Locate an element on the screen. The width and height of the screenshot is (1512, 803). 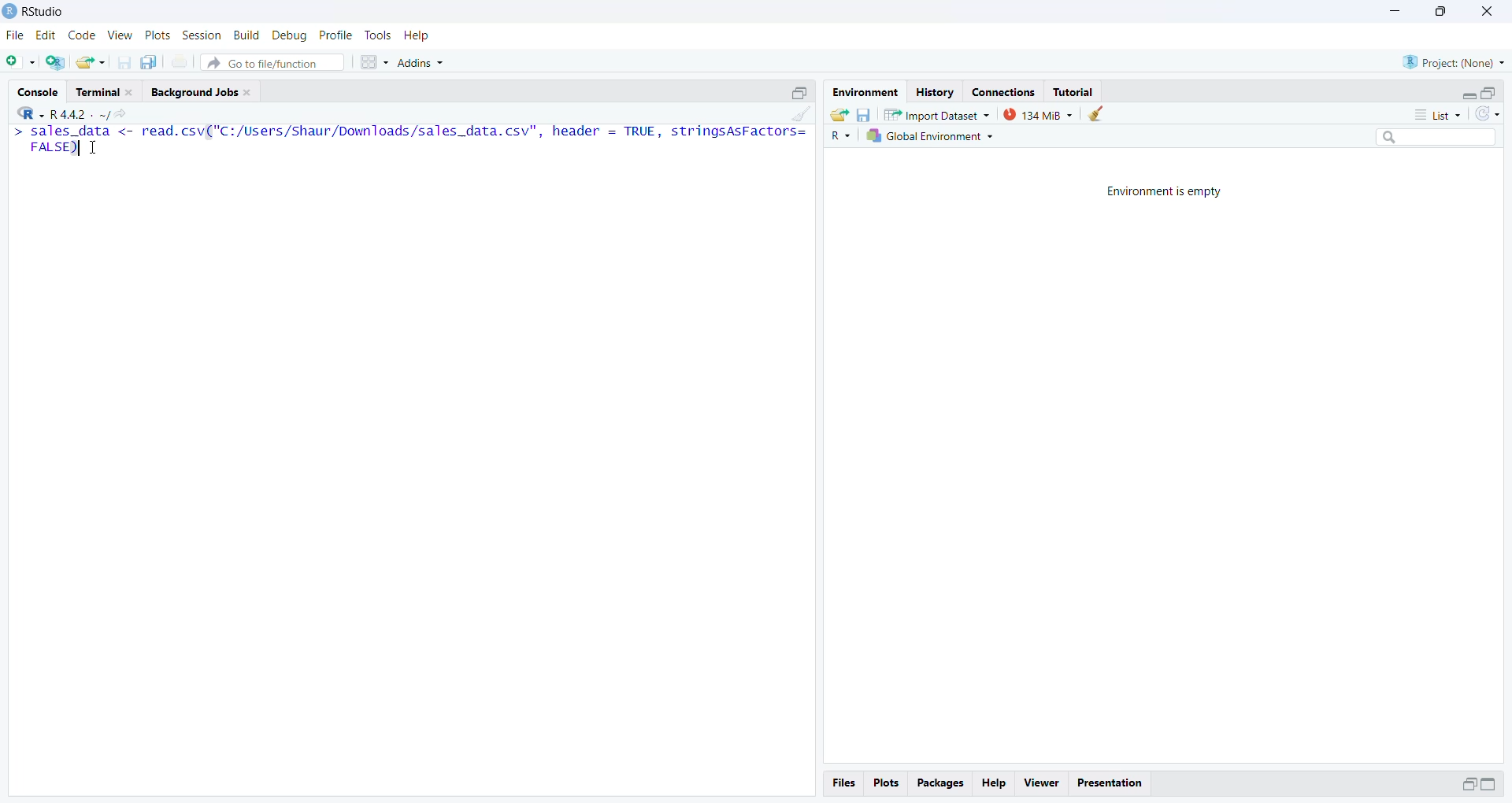
Environment is empty is located at coordinates (1159, 194).